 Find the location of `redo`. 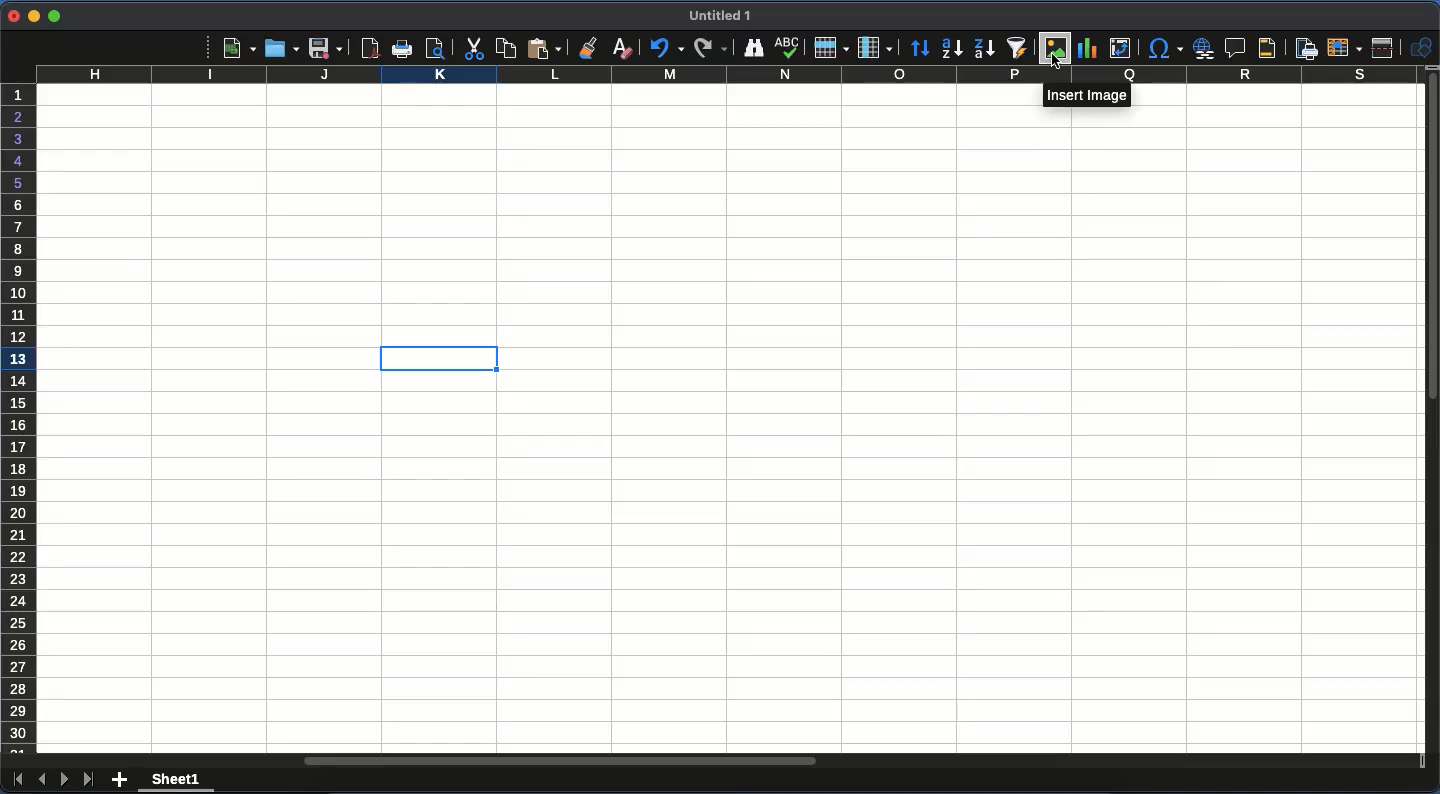

redo is located at coordinates (710, 48).